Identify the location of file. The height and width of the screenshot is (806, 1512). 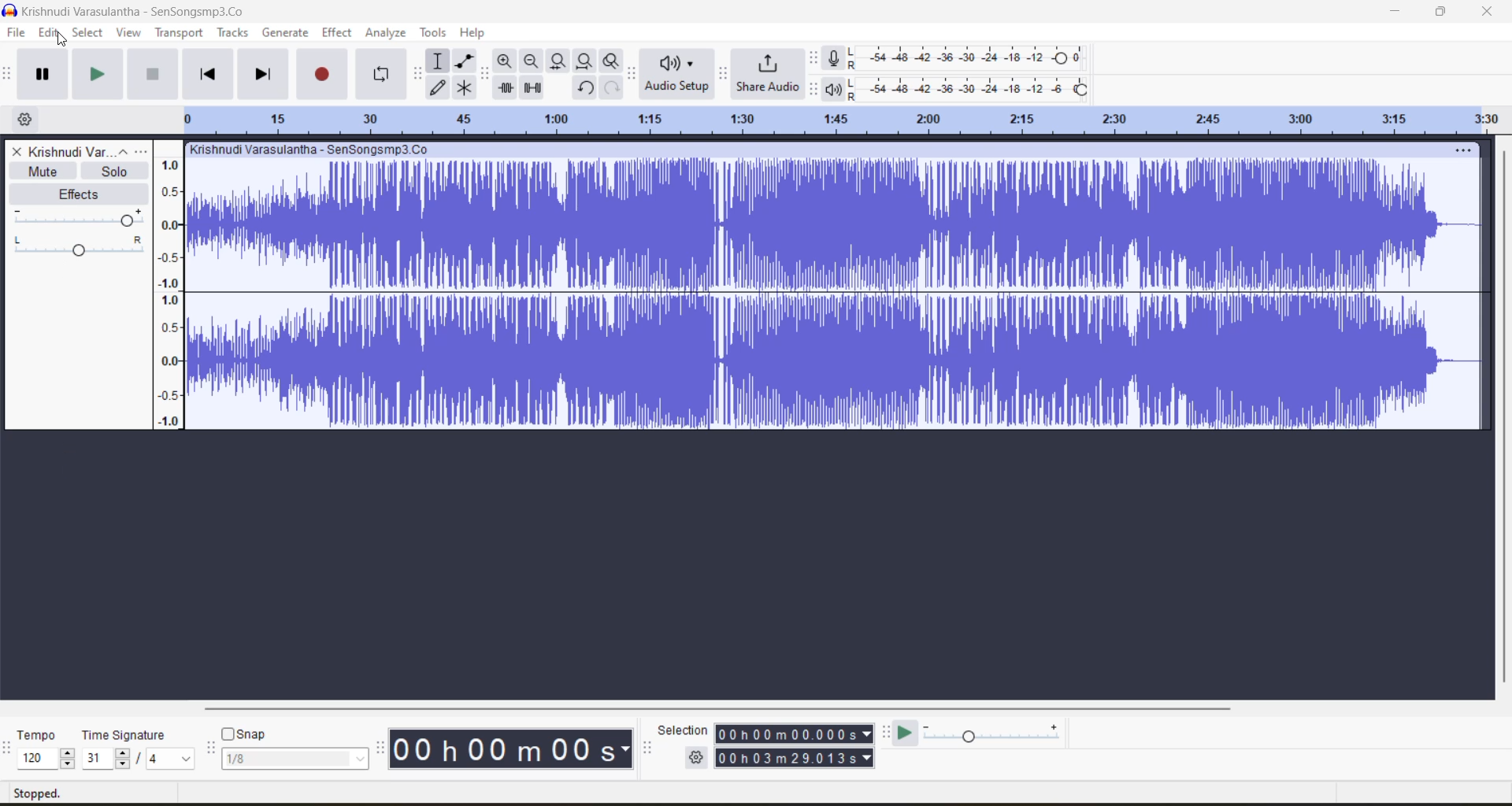
(14, 35).